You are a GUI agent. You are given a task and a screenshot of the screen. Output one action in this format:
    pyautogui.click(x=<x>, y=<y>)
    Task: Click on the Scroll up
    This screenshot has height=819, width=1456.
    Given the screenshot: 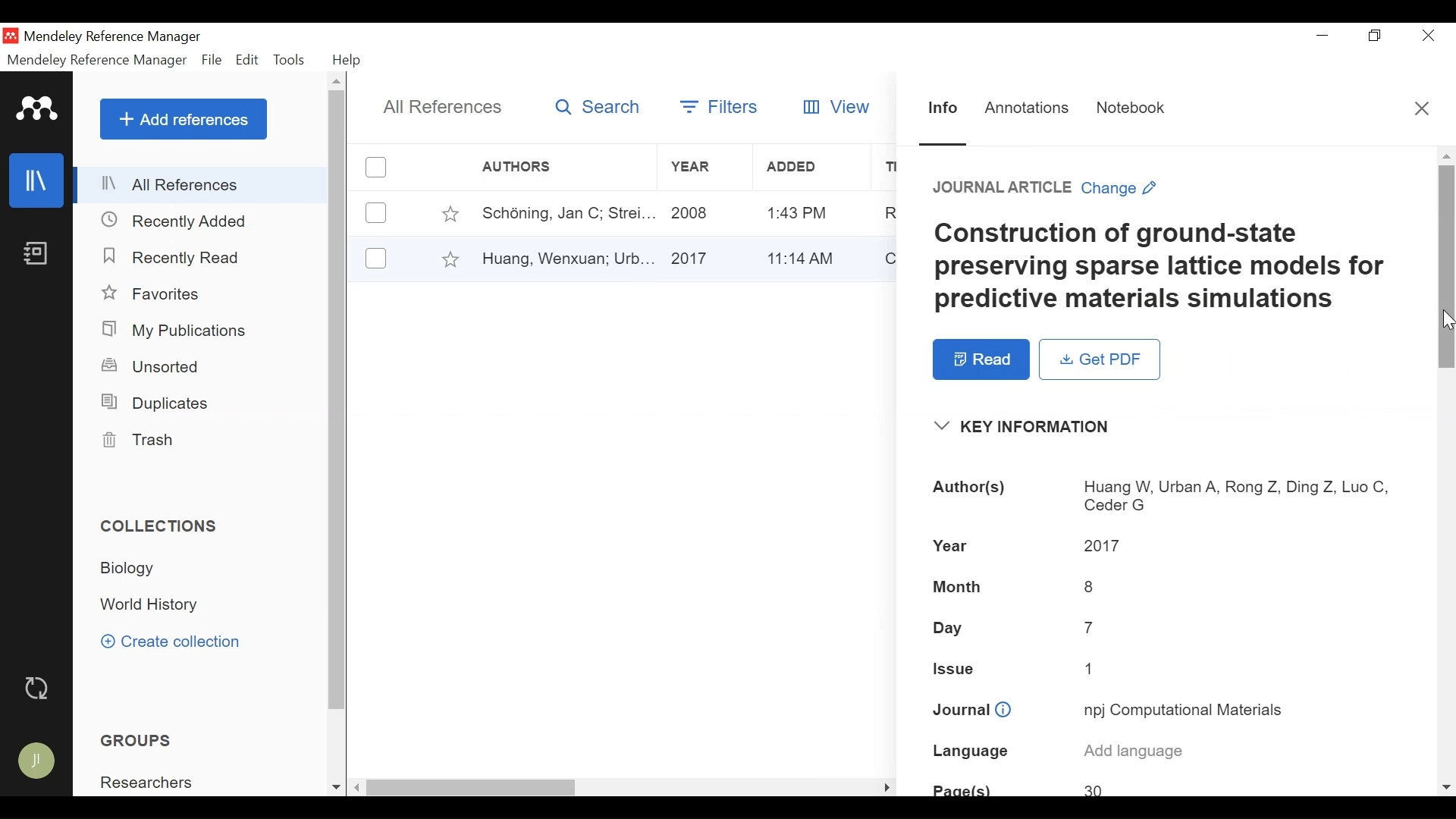 What is the action you would take?
    pyautogui.click(x=337, y=80)
    